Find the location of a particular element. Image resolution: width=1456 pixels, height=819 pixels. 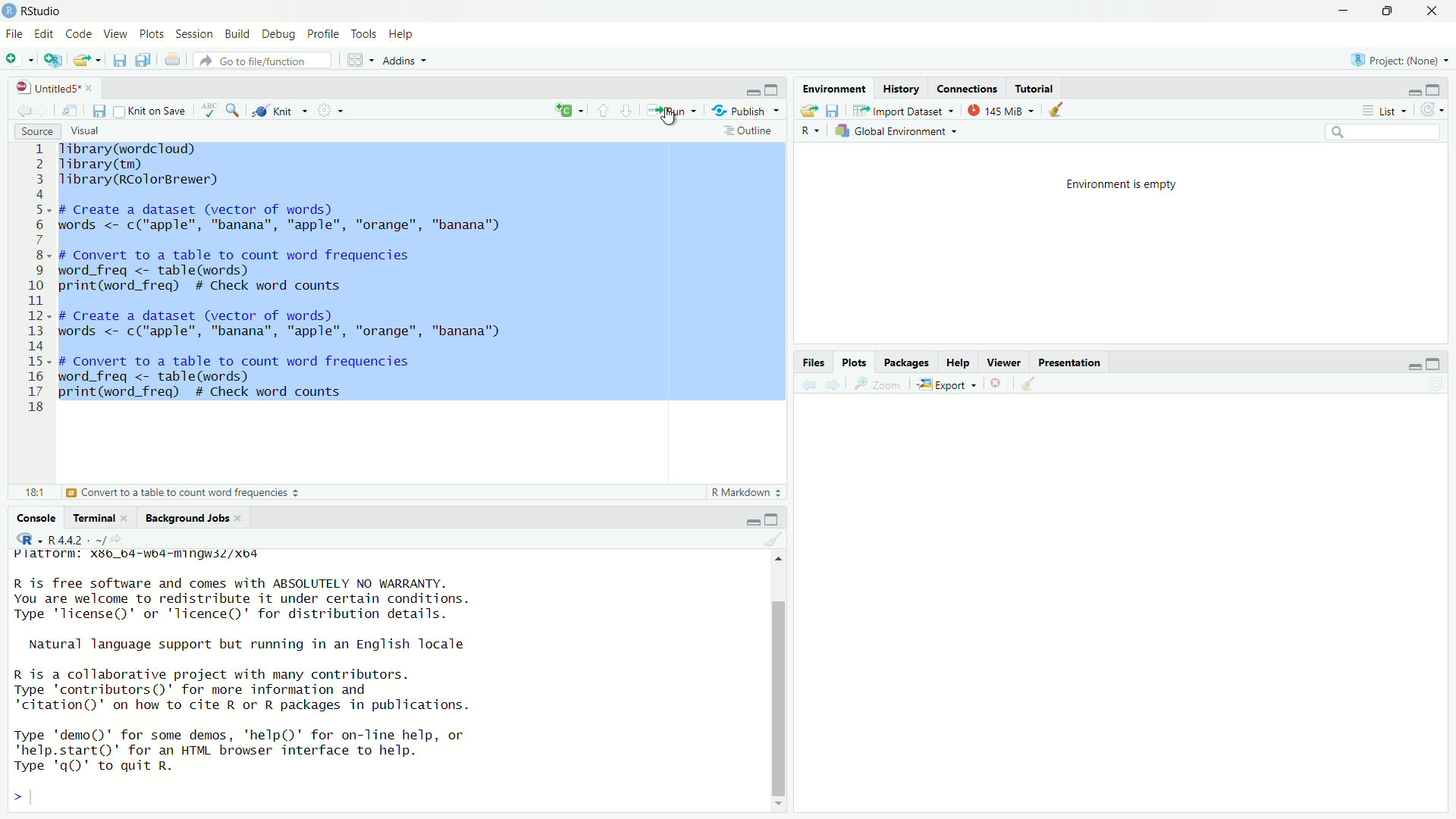

Minimize is located at coordinates (754, 523).